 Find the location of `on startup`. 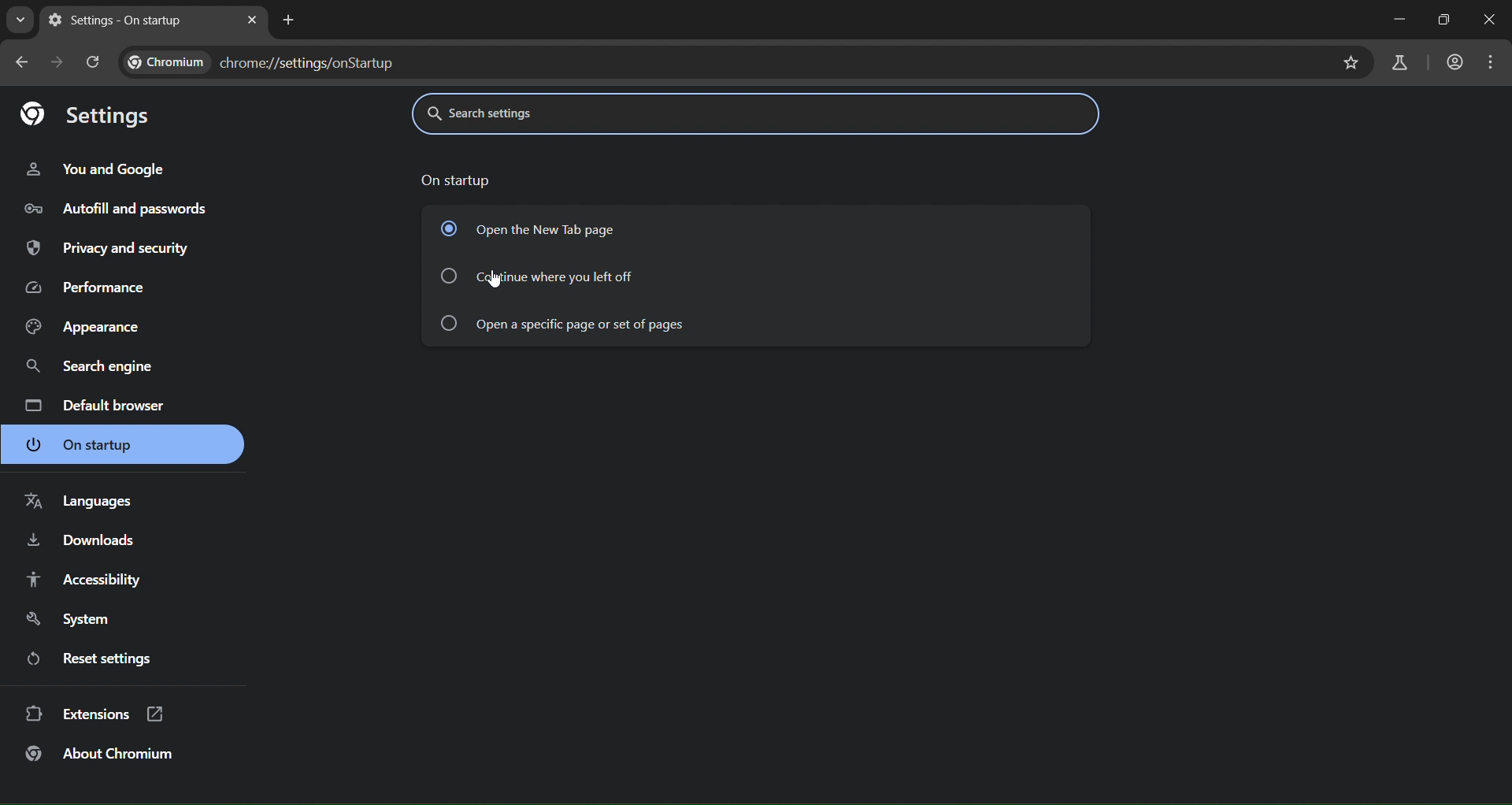

on startup is located at coordinates (461, 181).